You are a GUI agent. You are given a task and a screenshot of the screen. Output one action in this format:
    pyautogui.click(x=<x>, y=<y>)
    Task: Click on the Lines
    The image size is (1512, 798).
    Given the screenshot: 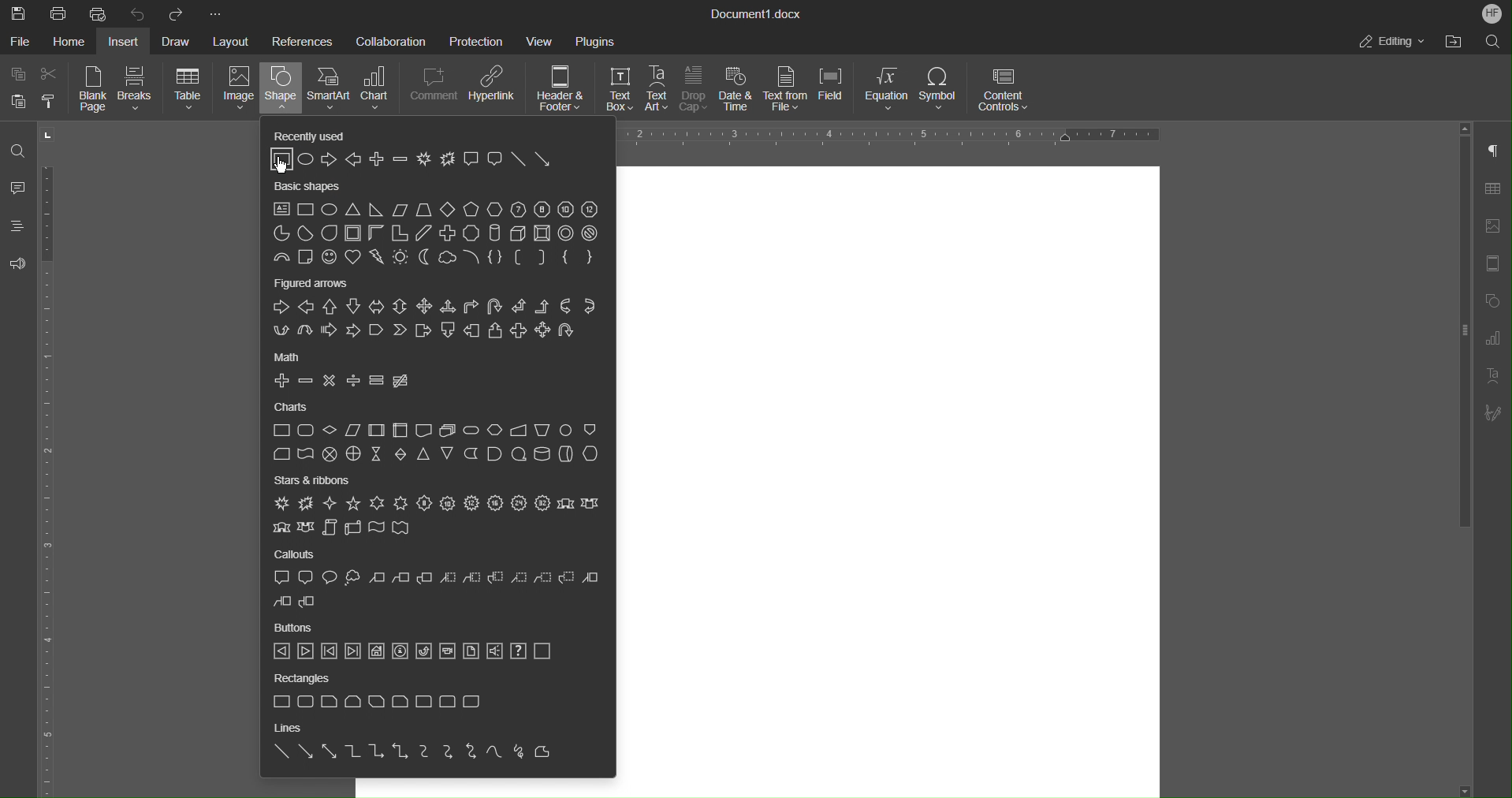 What is the action you would take?
    pyautogui.click(x=287, y=729)
    